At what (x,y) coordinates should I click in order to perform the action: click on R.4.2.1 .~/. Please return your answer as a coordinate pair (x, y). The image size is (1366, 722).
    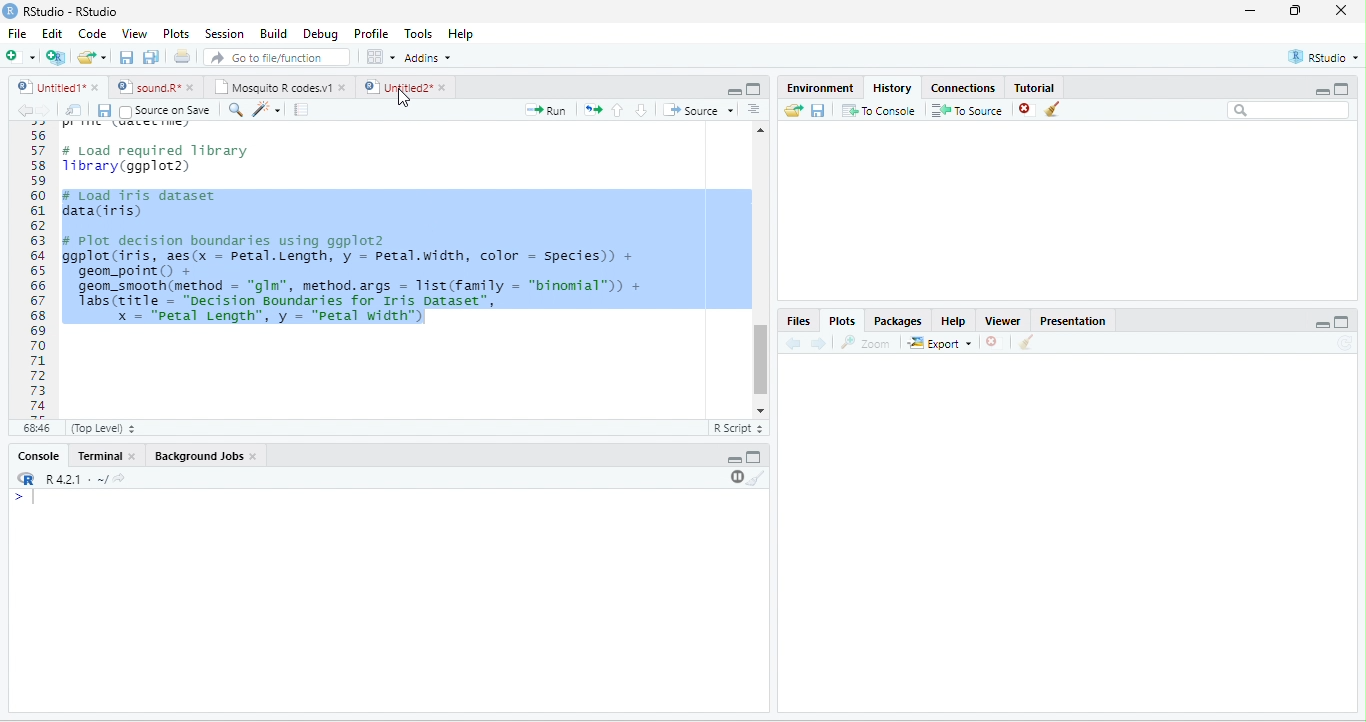
    Looking at the image, I should click on (71, 480).